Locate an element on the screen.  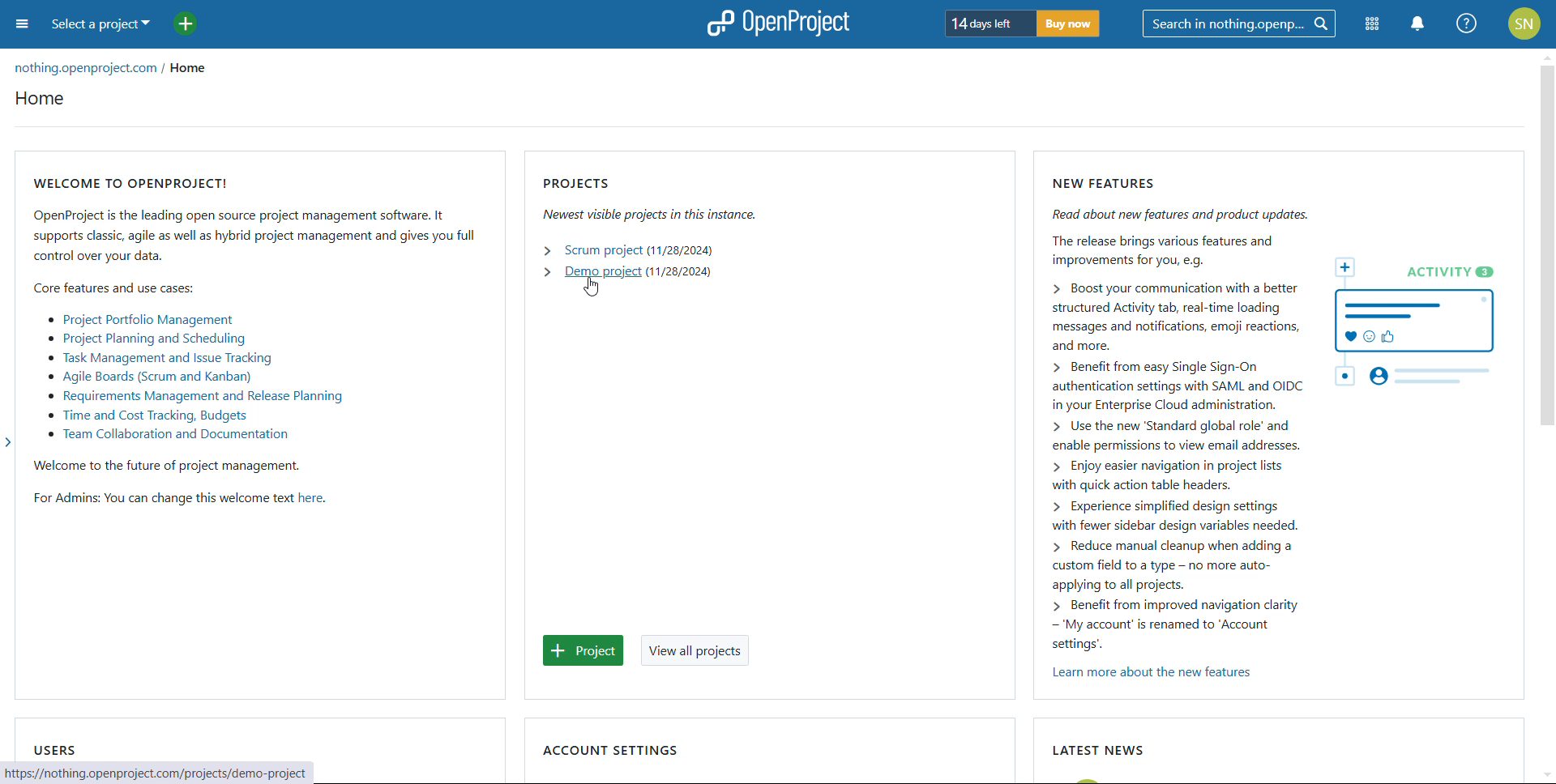
start date of scrum project is located at coordinates (681, 252).